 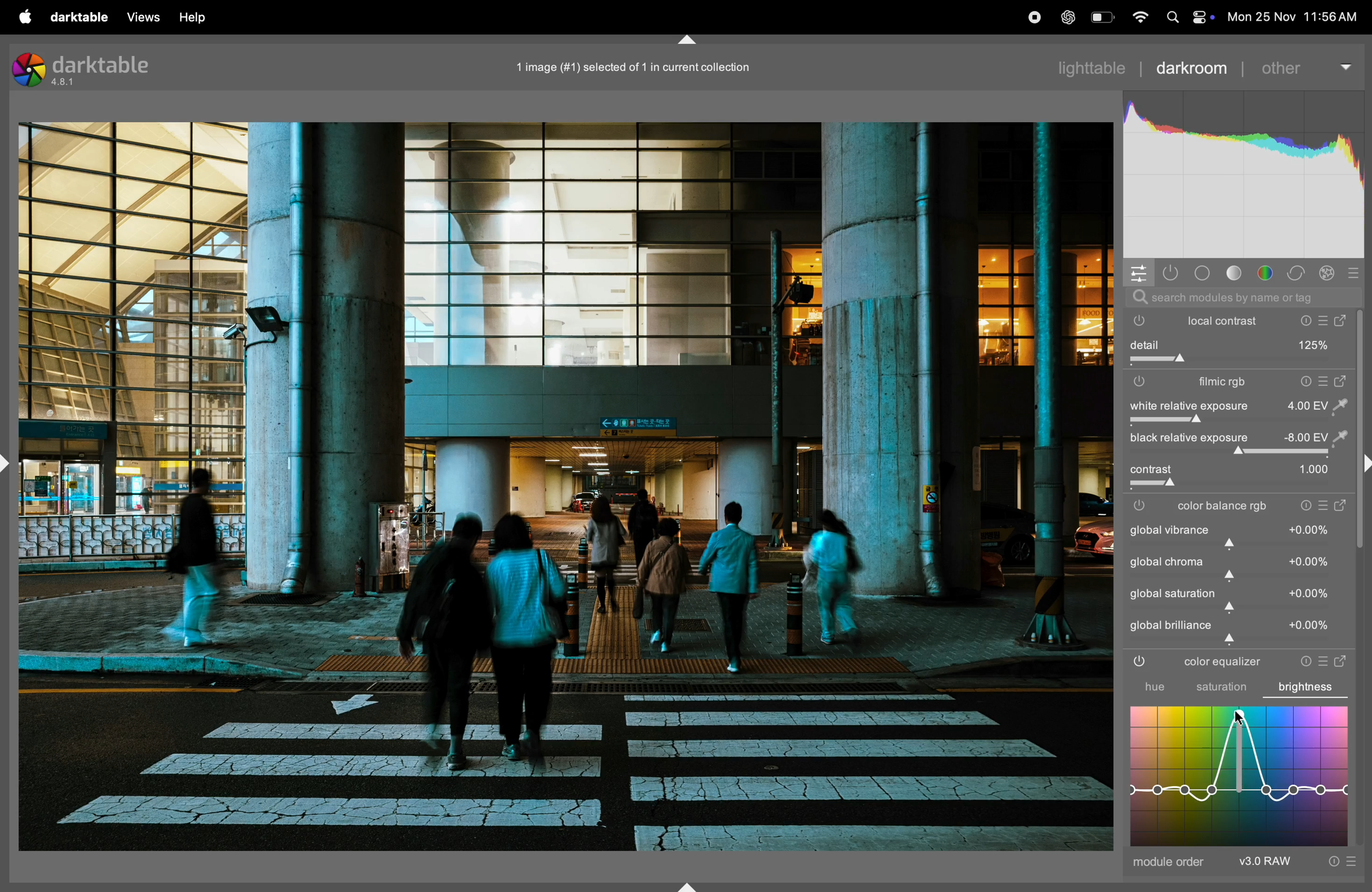 What do you see at coordinates (566, 487) in the screenshot?
I see `image ` at bounding box center [566, 487].